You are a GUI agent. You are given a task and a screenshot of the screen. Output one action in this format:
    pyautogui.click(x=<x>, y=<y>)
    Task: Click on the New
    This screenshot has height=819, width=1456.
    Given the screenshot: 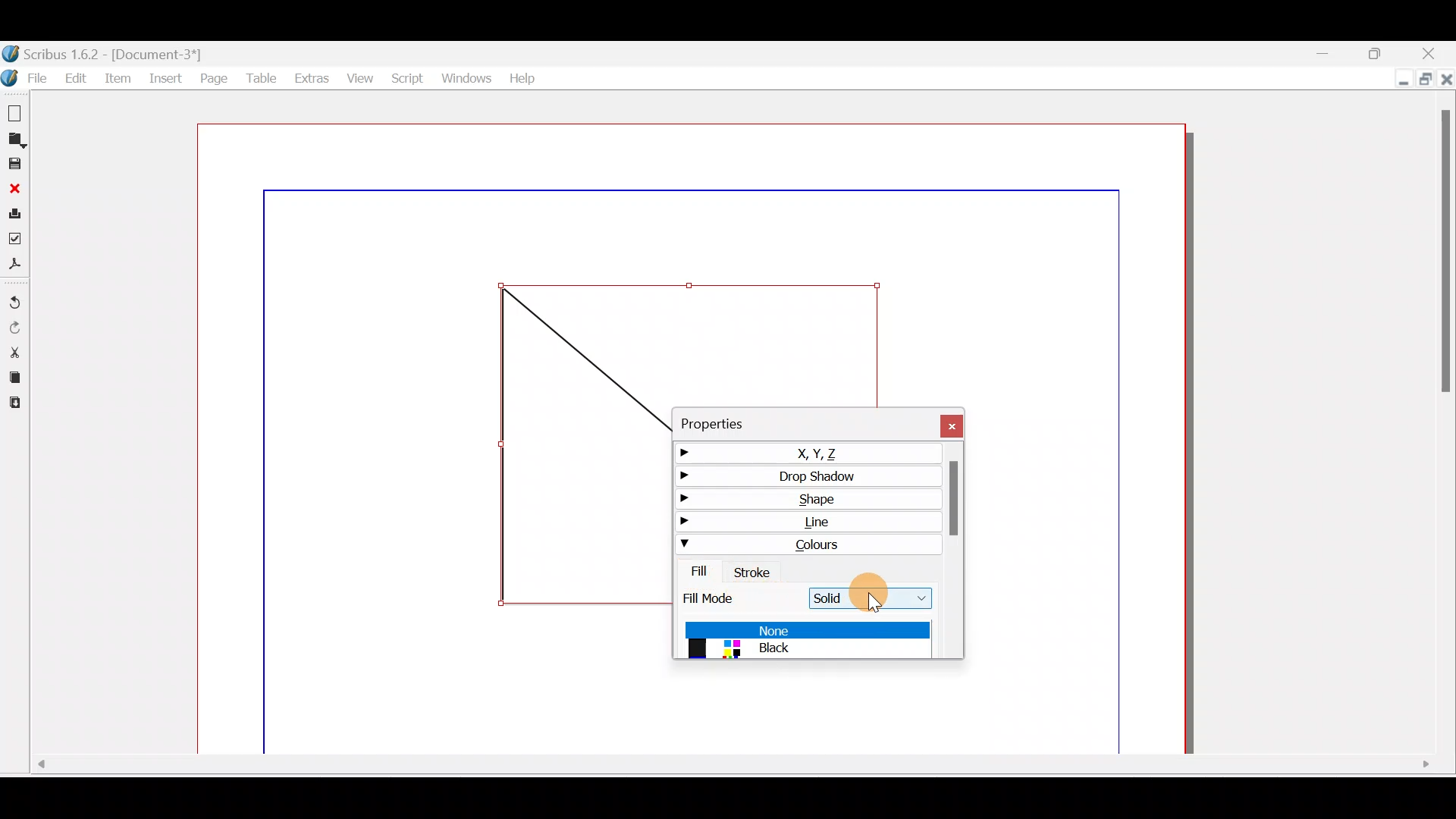 What is the action you would take?
    pyautogui.click(x=15, y=111)
    